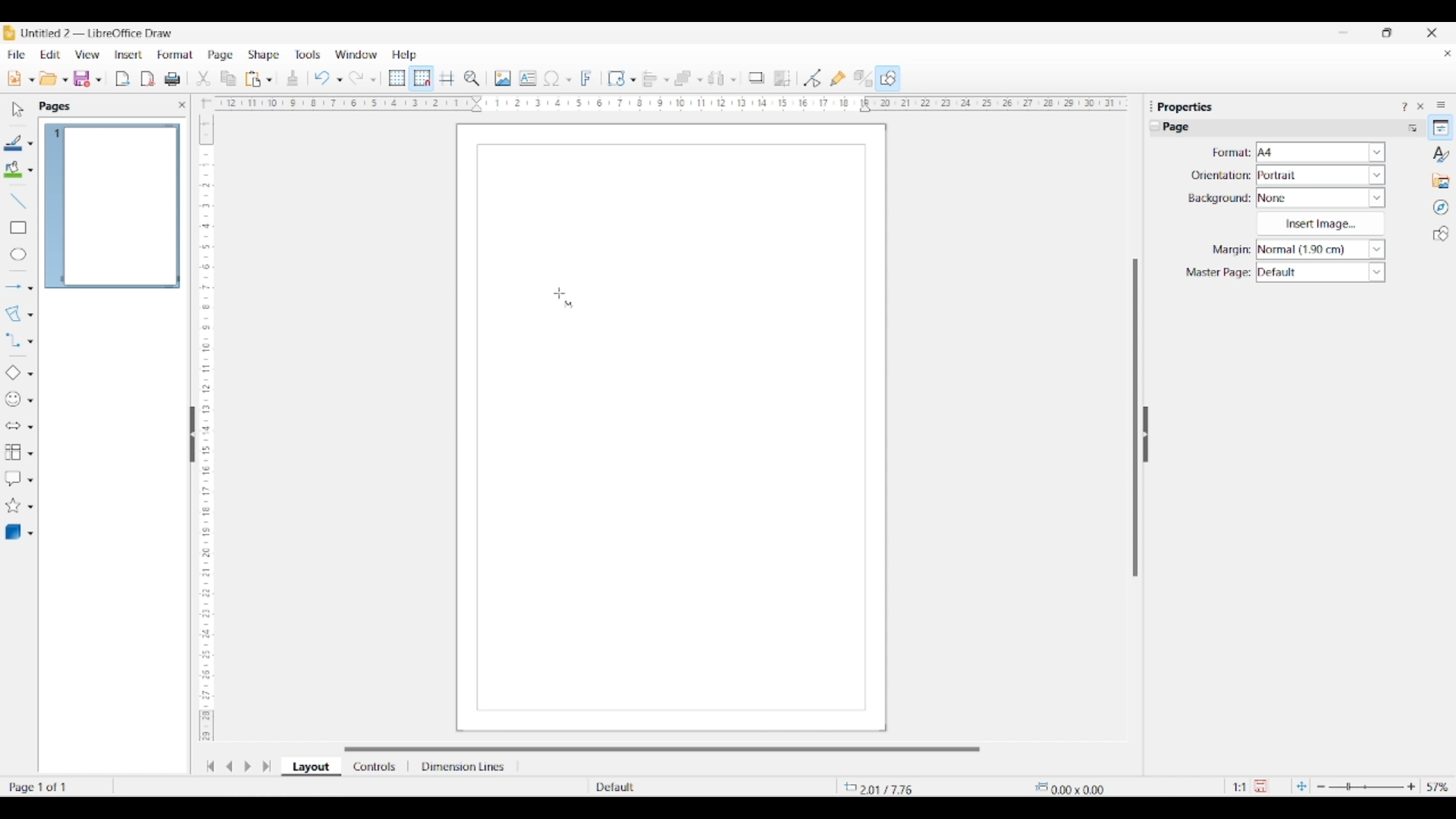 The image size is (1456, 819). Describe the element at coordinates (1230, 153) in the screenshot. I see `Indicates format settings` at that location.